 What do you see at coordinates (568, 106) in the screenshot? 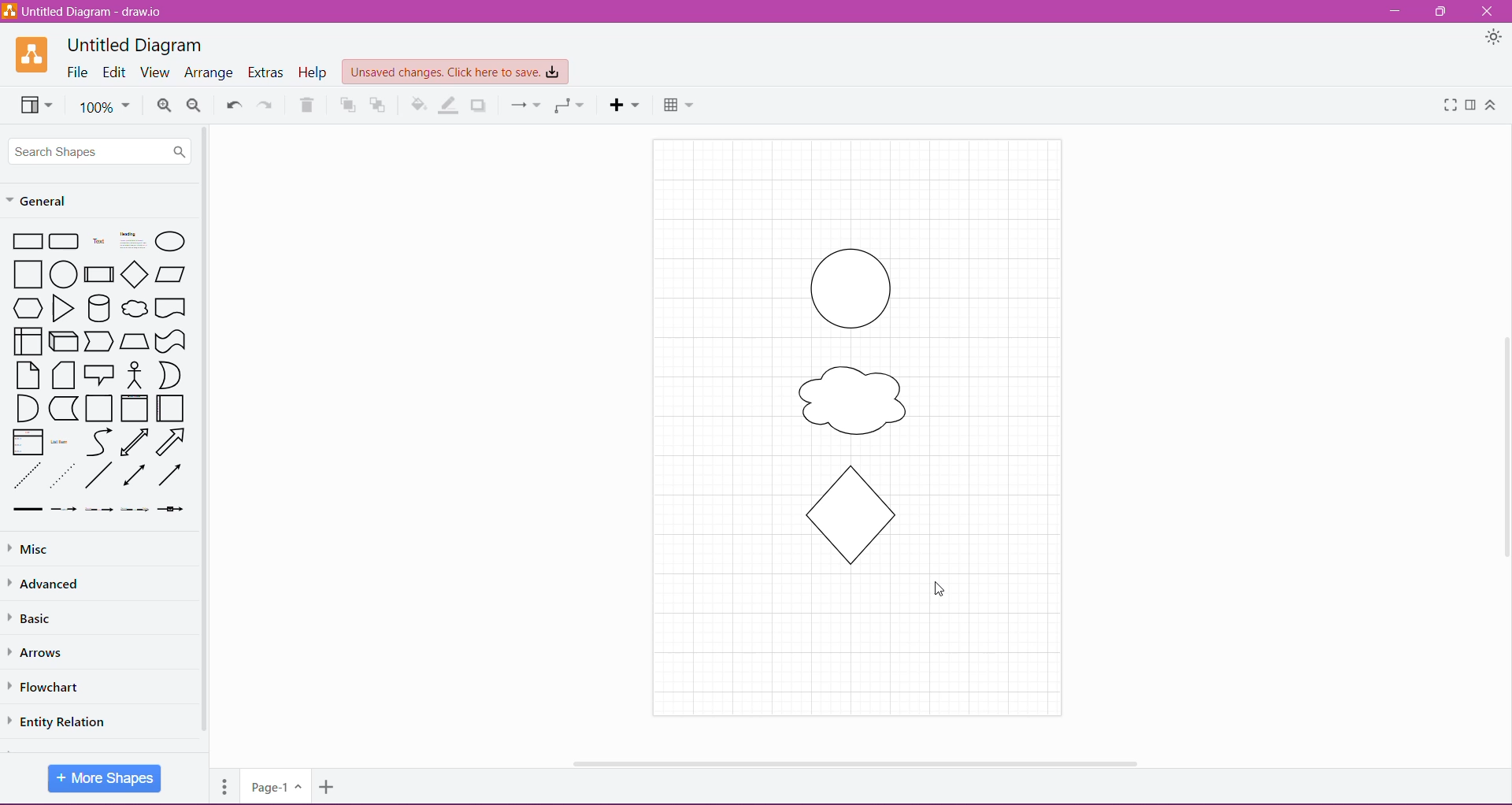
I see `Waypoints` at bounding box center [568, 106].